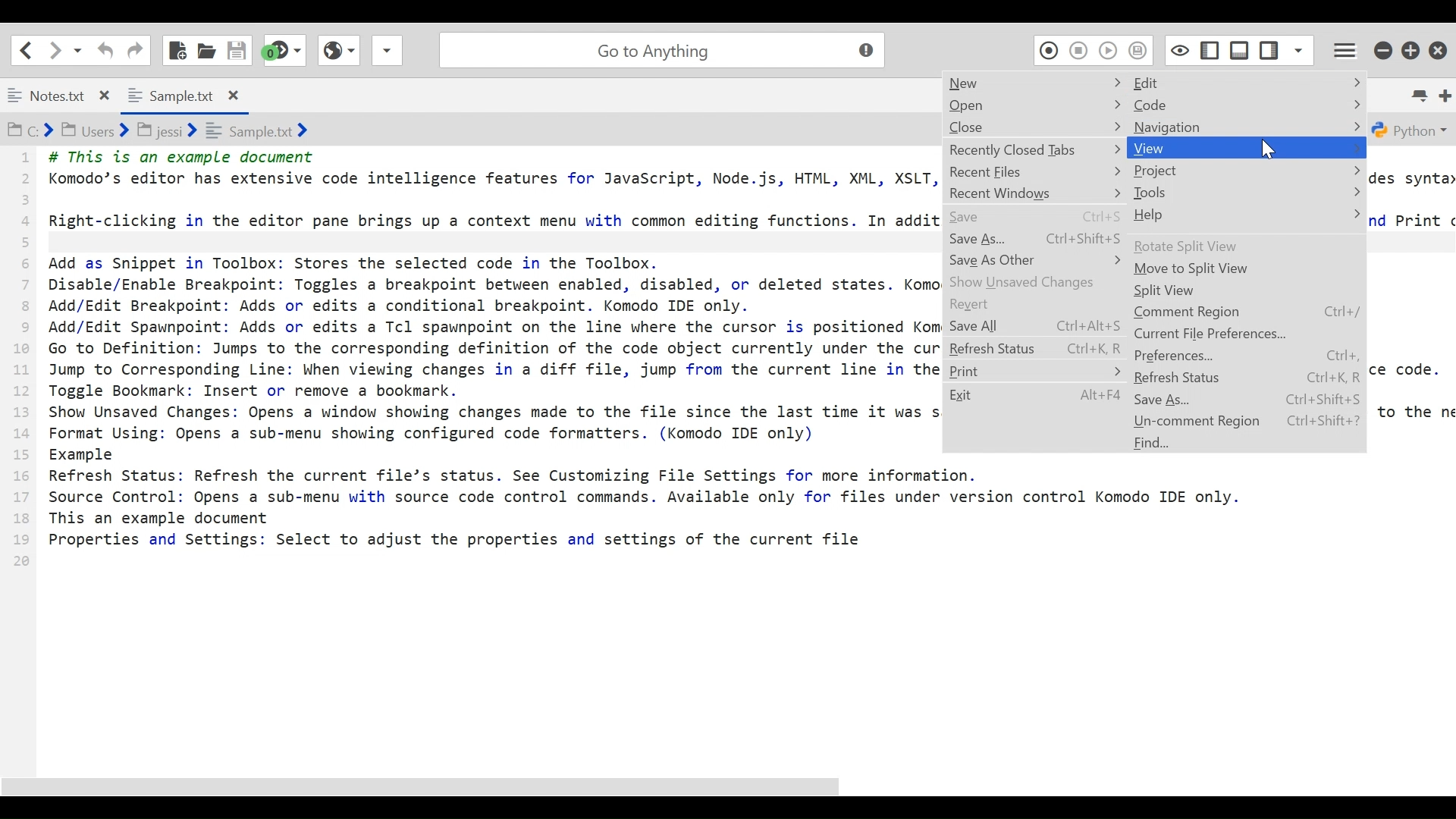 The height and width of the screenshot is (819, 1456). Describe the element at coordinates (1038, 237) in the screenshot. I see `Save As... Ctrl+Shift+S` at that location.